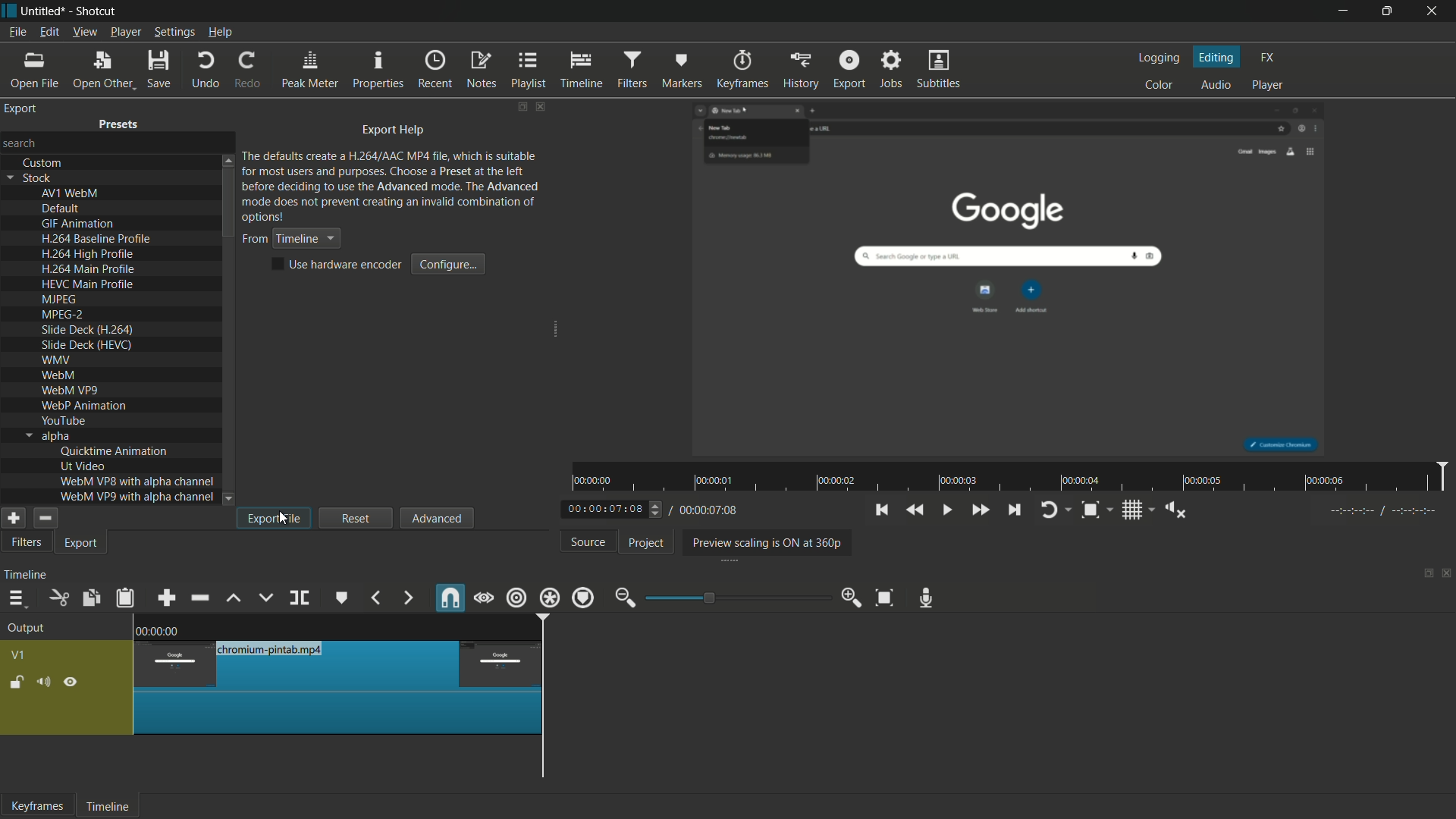  I want to click on app name, so click(95, 11).